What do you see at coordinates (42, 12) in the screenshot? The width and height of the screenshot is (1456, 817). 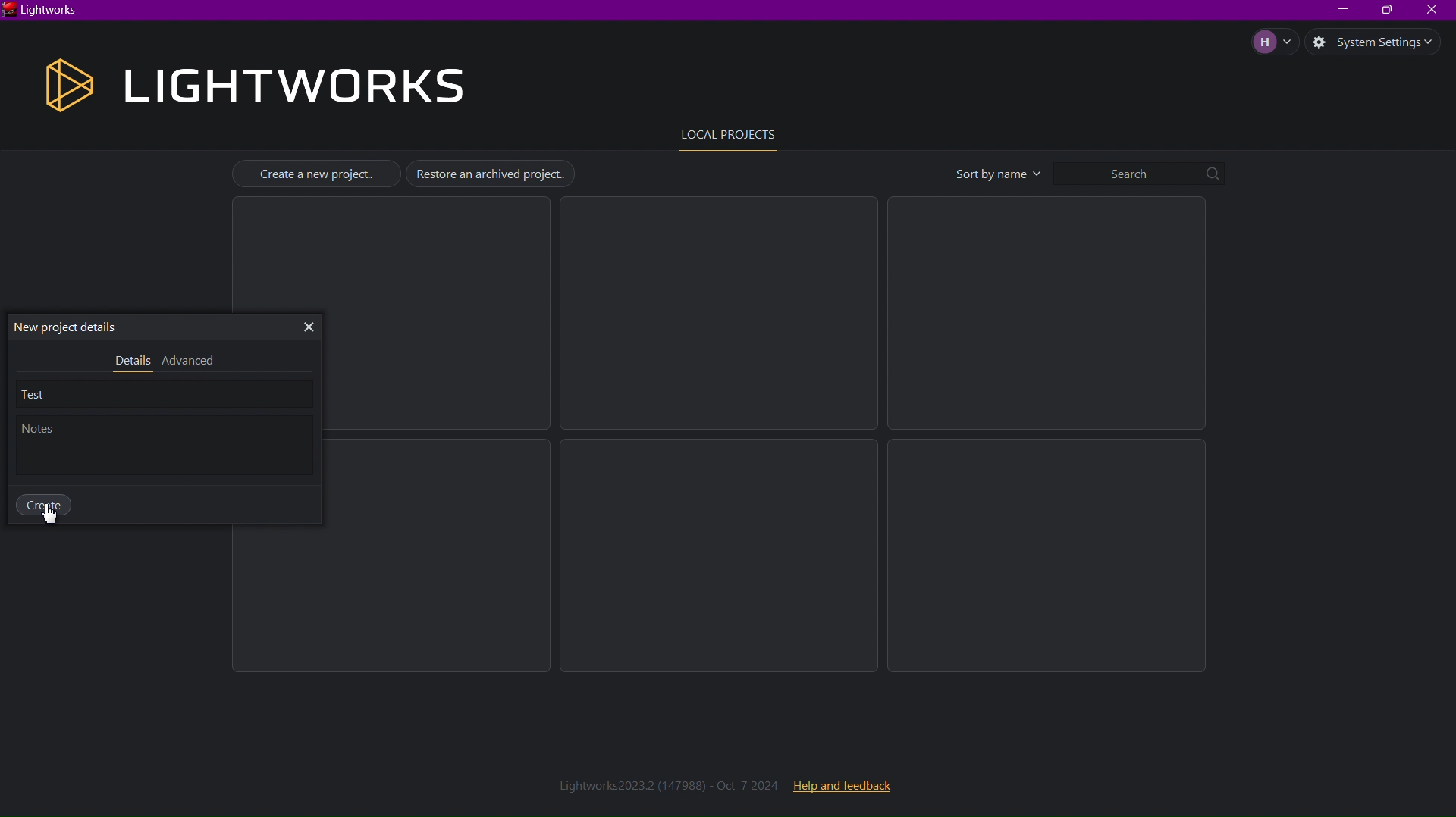 I see `Lightworks` at bounding box center [42, 12].